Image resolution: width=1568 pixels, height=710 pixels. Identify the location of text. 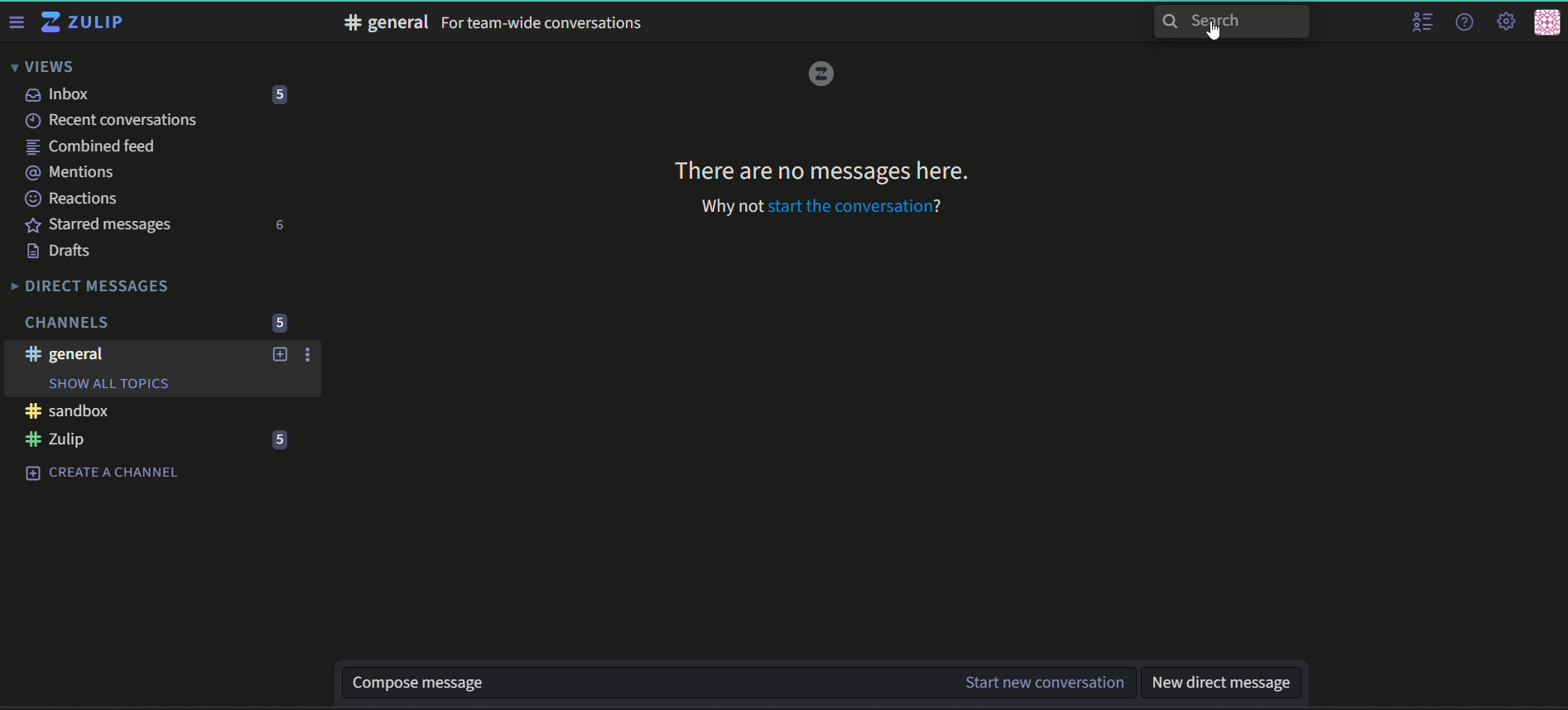
(825, 172).